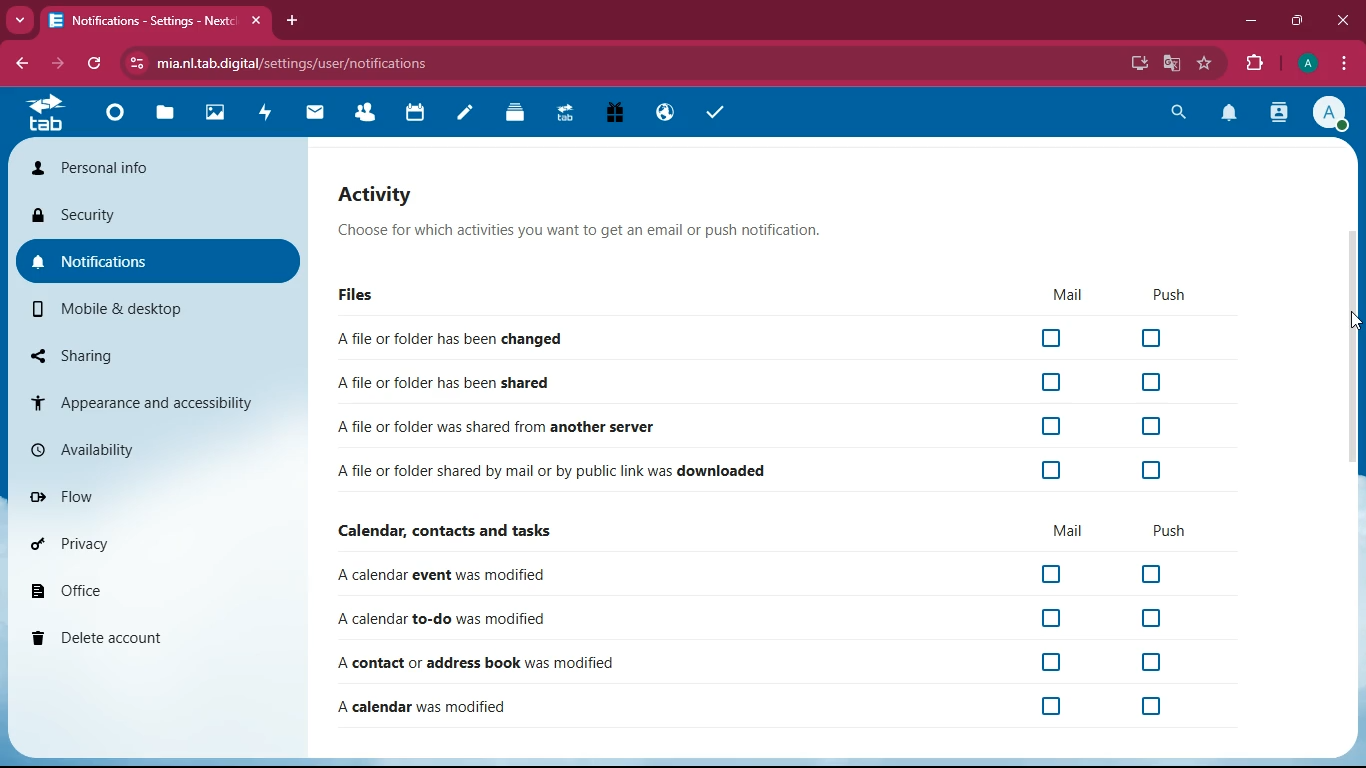 The width and height of the screenshot is (1366, 768). Describe the element at coordinates (754, 384) in the screenshot. I see `A file or folder has been shared` at that location.